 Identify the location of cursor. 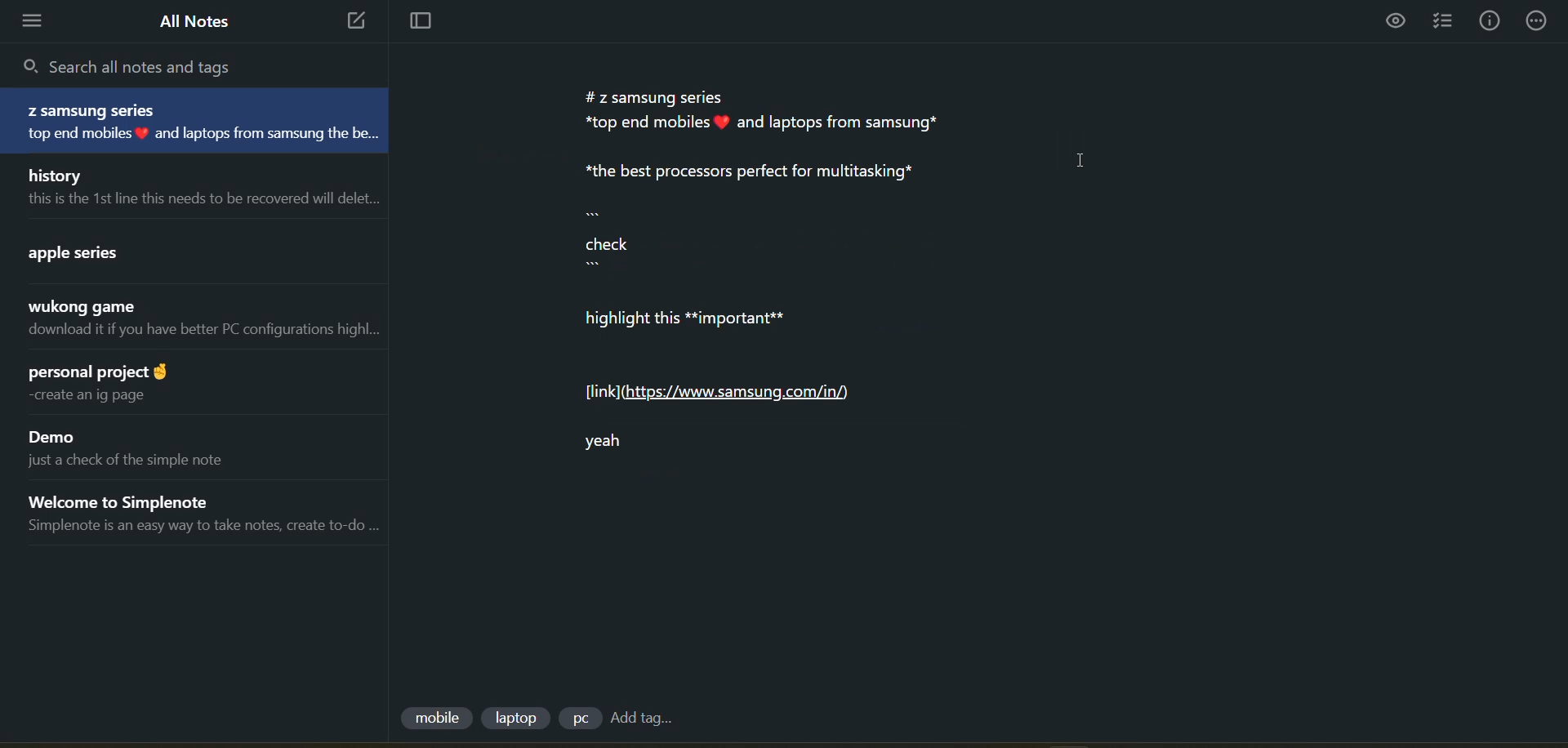
(1091, 163).